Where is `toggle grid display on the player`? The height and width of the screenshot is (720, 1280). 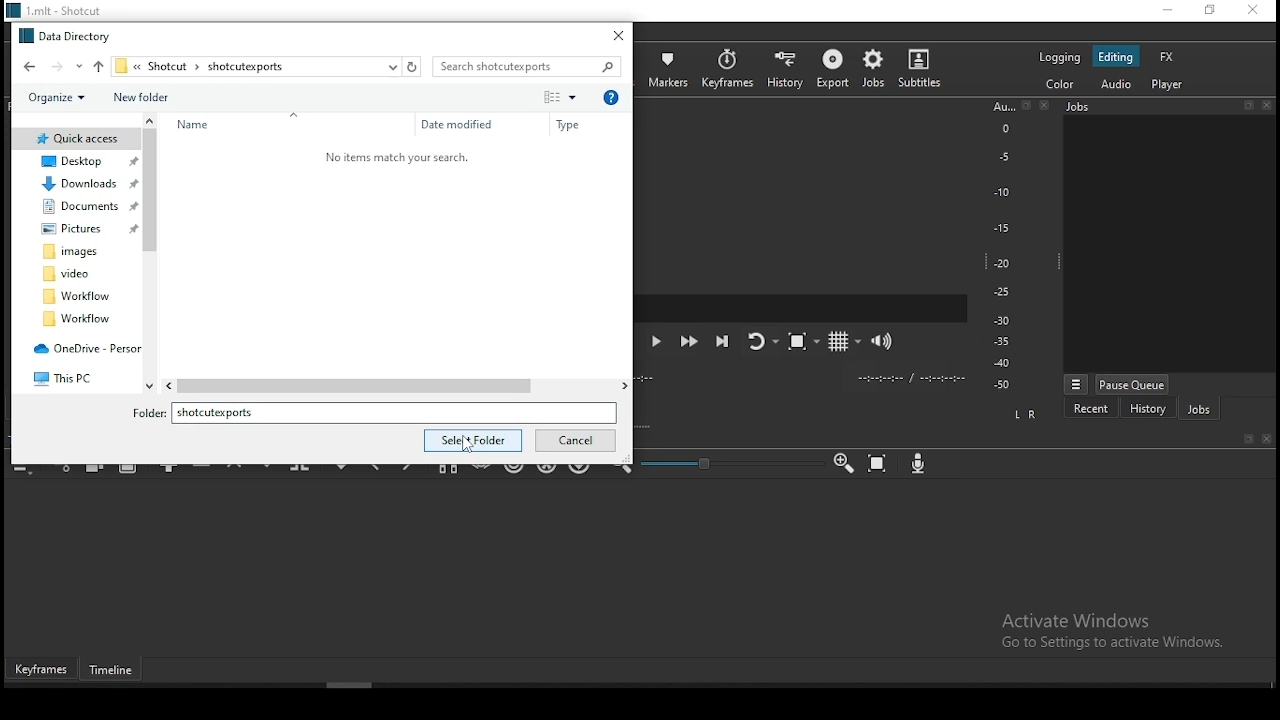 toggle grid display on the player is located at coordinates (840, 340).